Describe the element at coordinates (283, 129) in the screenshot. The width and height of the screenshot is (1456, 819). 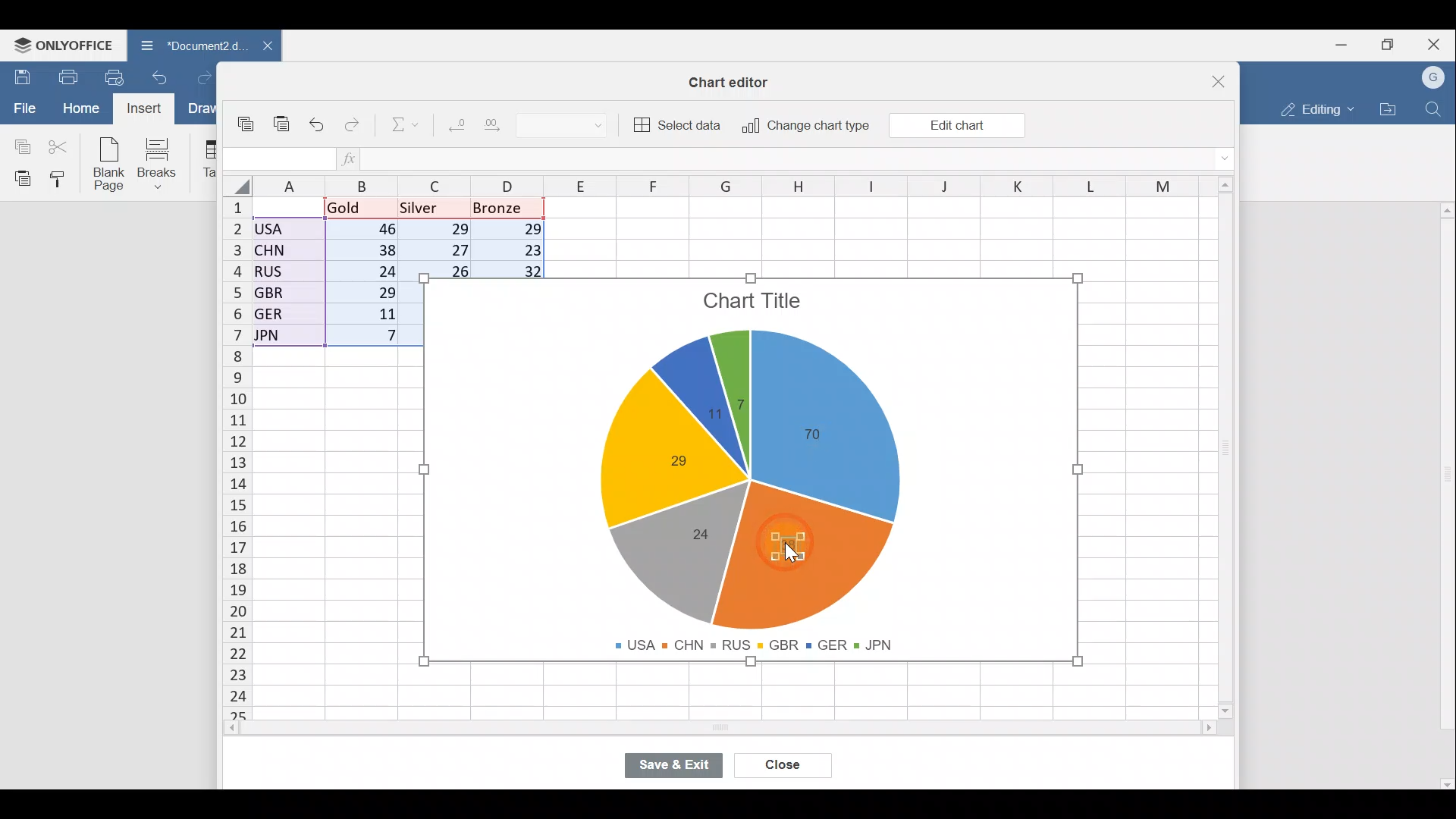
I see `Paste` at that location.